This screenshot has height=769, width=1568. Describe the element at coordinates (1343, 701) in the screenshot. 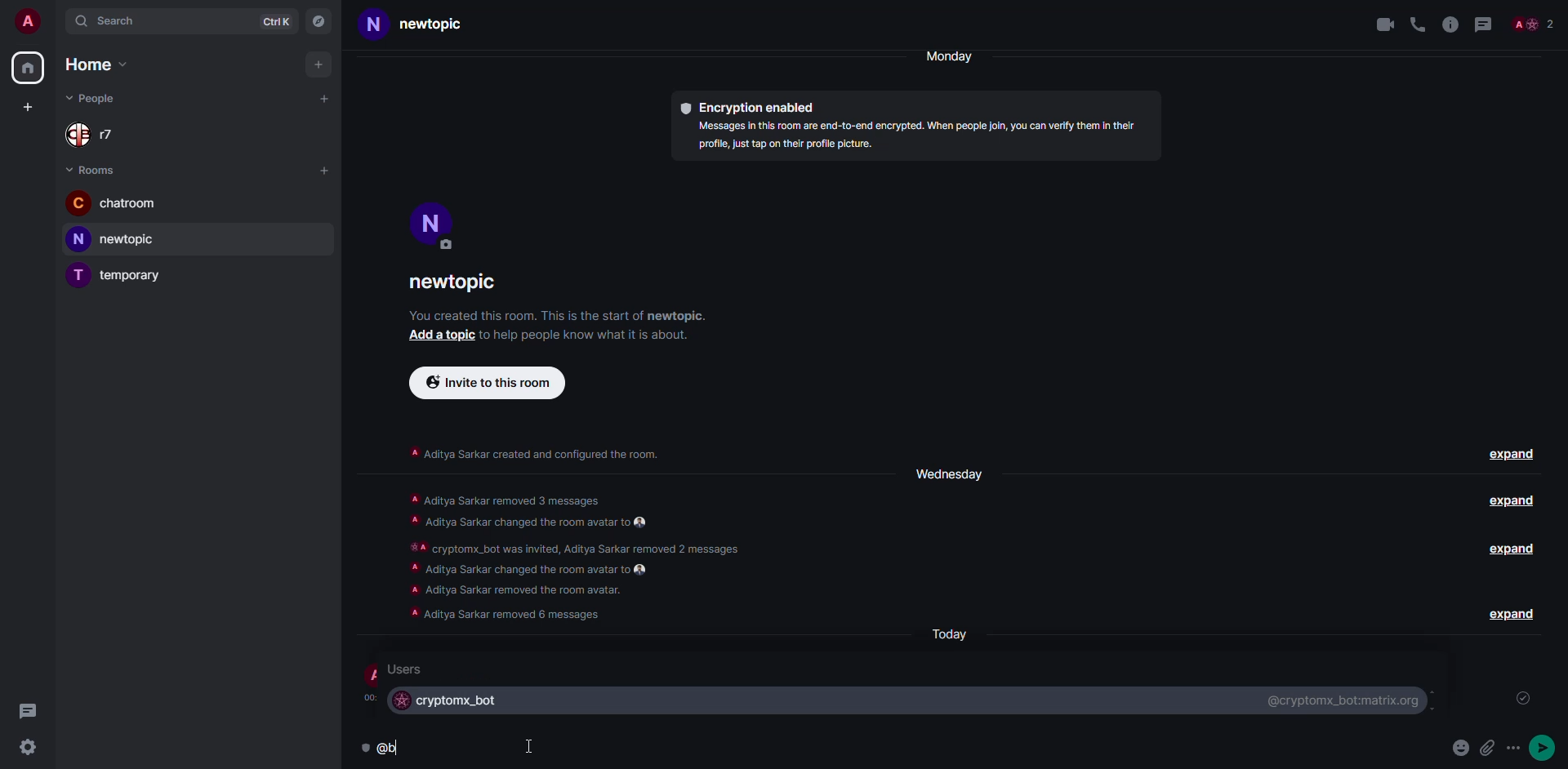

I see `id` at that location.